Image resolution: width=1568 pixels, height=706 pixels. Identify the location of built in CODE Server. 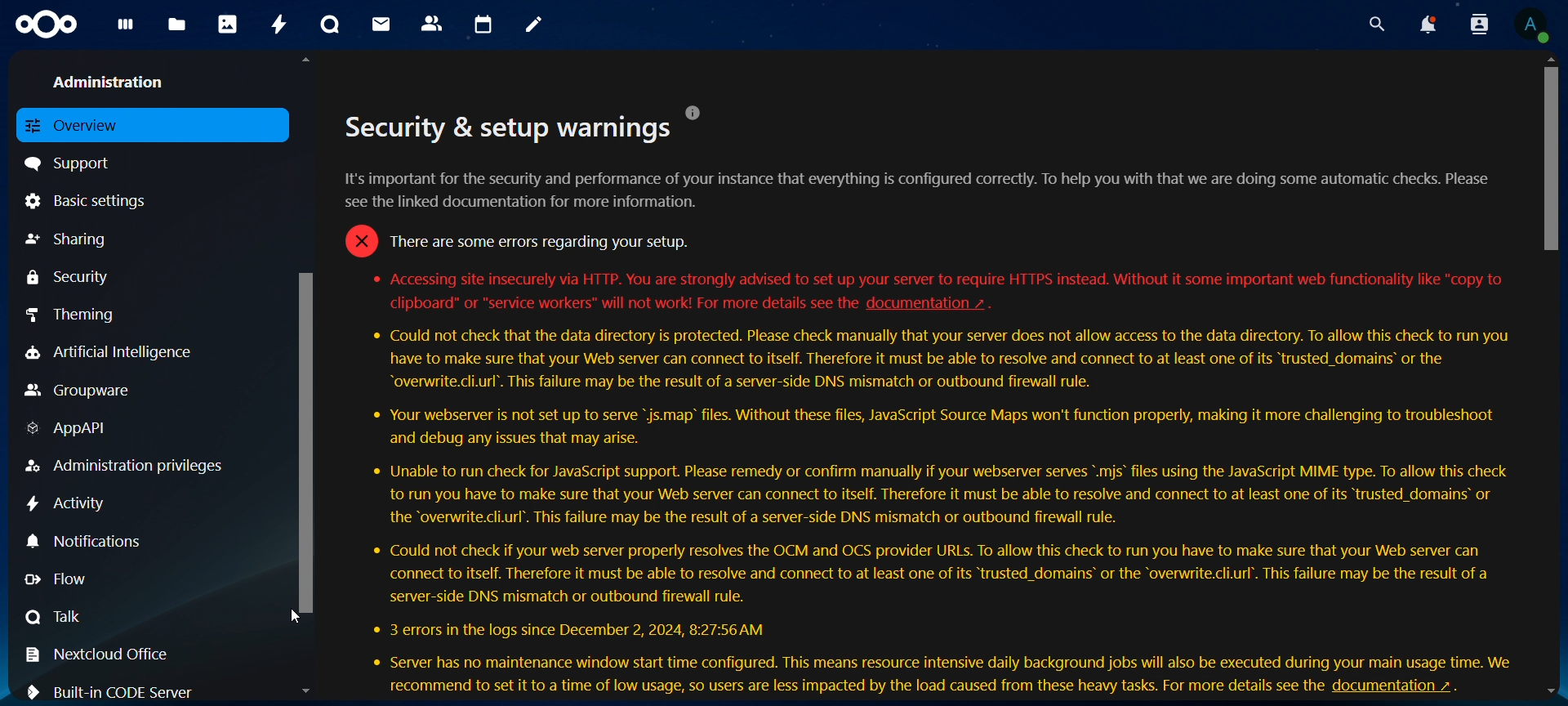
(116, 690).